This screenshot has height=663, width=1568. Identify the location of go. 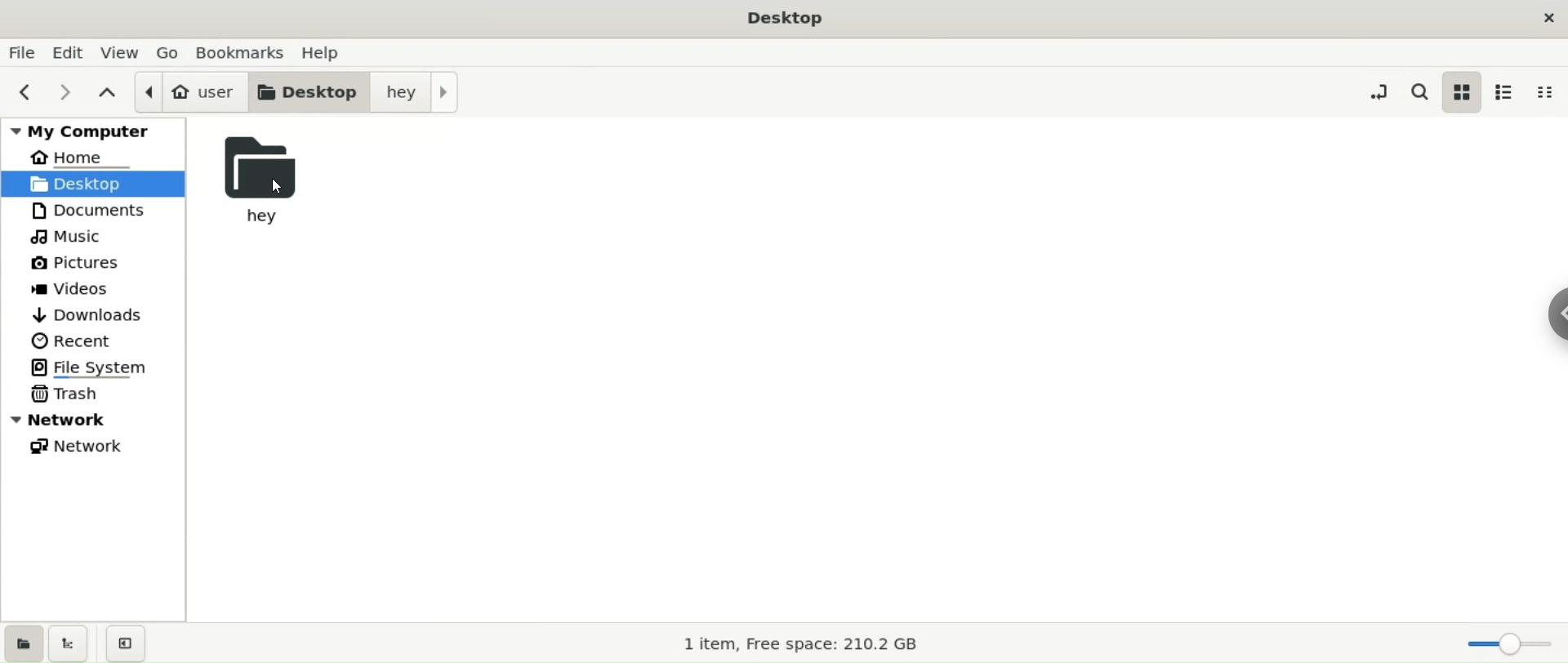
(172, 51).